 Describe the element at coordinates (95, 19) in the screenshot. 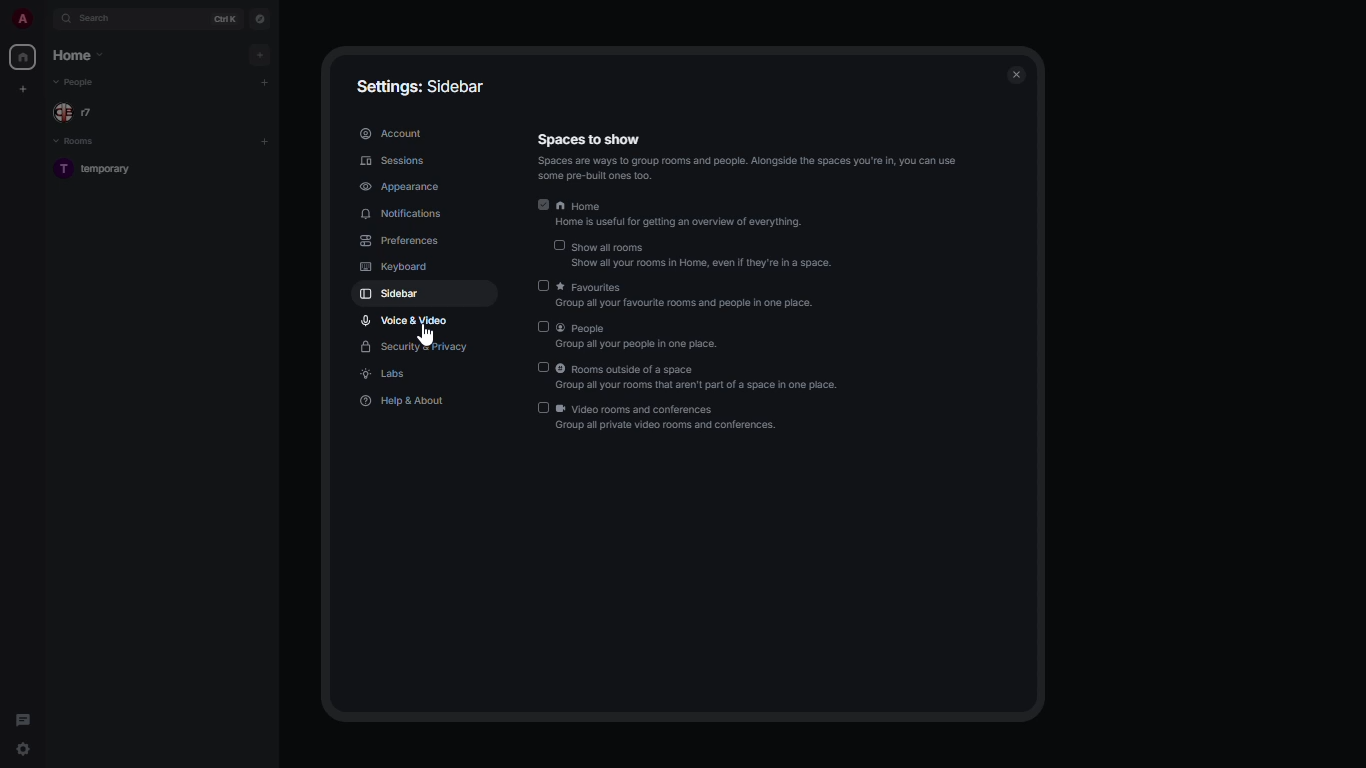

I see `search` at that location.